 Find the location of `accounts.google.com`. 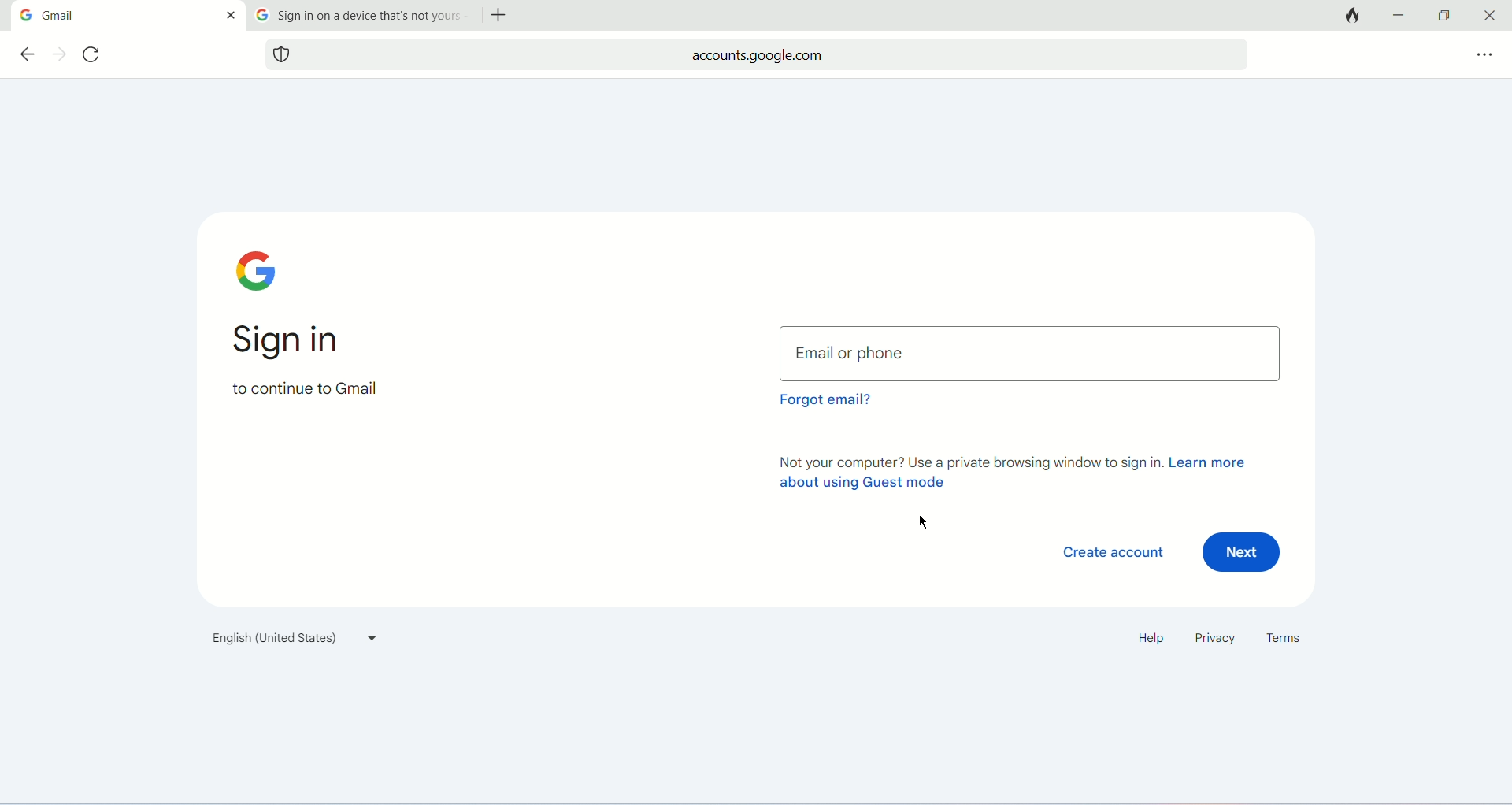

accounts.google.com is located at coordinates (774, 54).